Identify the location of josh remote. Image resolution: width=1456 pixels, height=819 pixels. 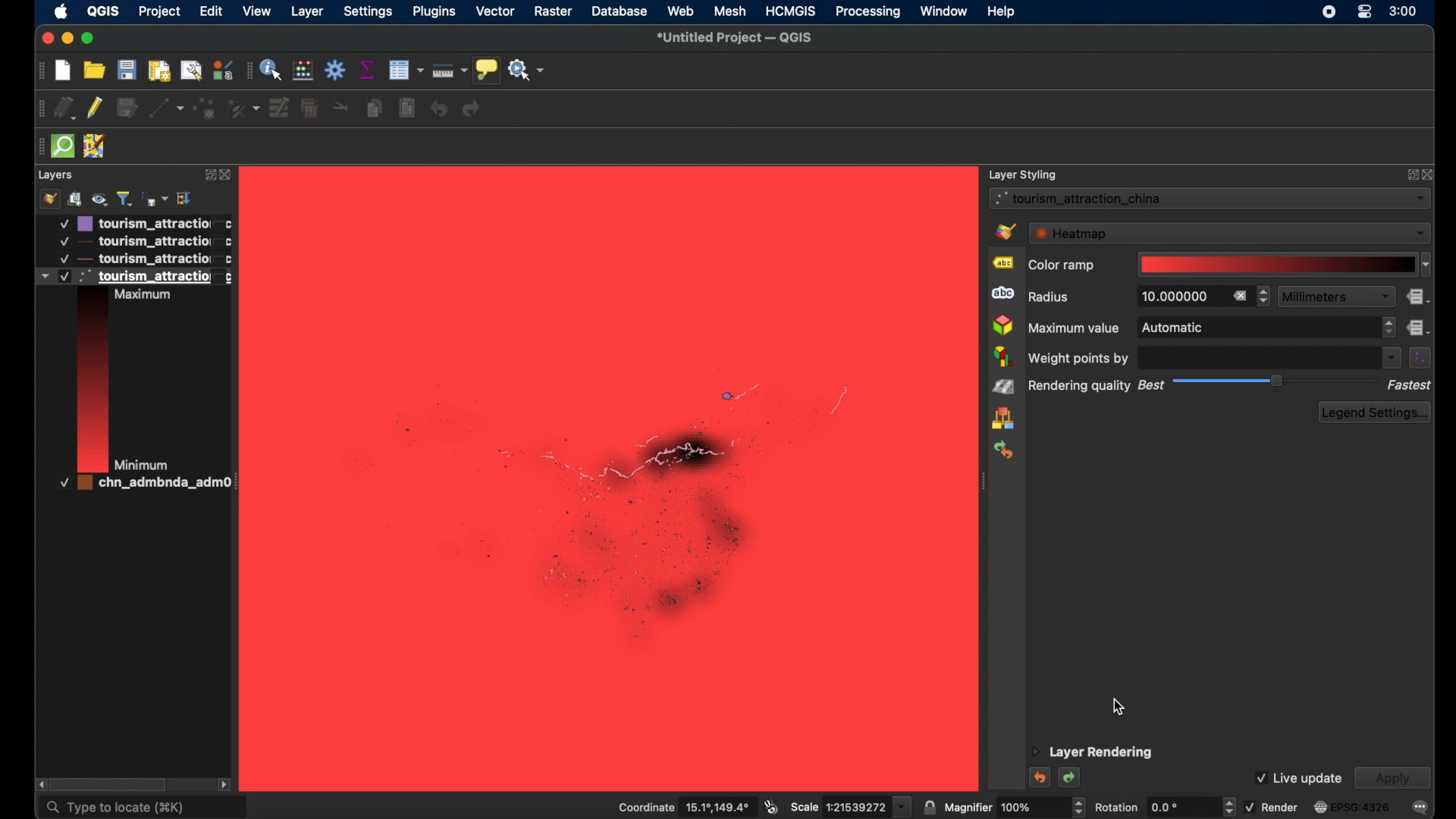
(96, 146).